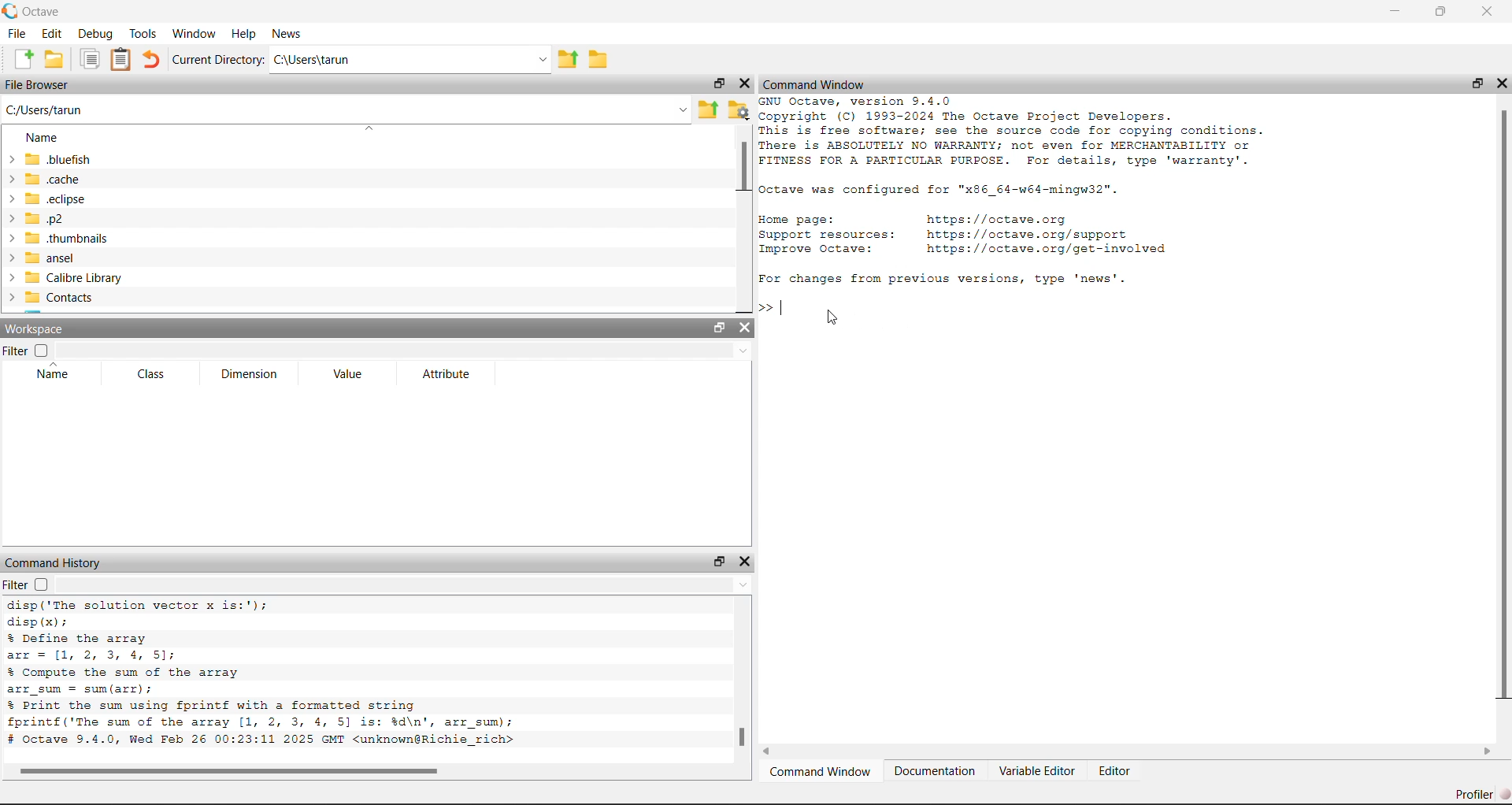 Image resolution: width=1512 pixels, height=805 pixels. What do you see at coordinates (65, 278) in the screenshot?
I see `Calibre Library` at bounding box center [65, 278].